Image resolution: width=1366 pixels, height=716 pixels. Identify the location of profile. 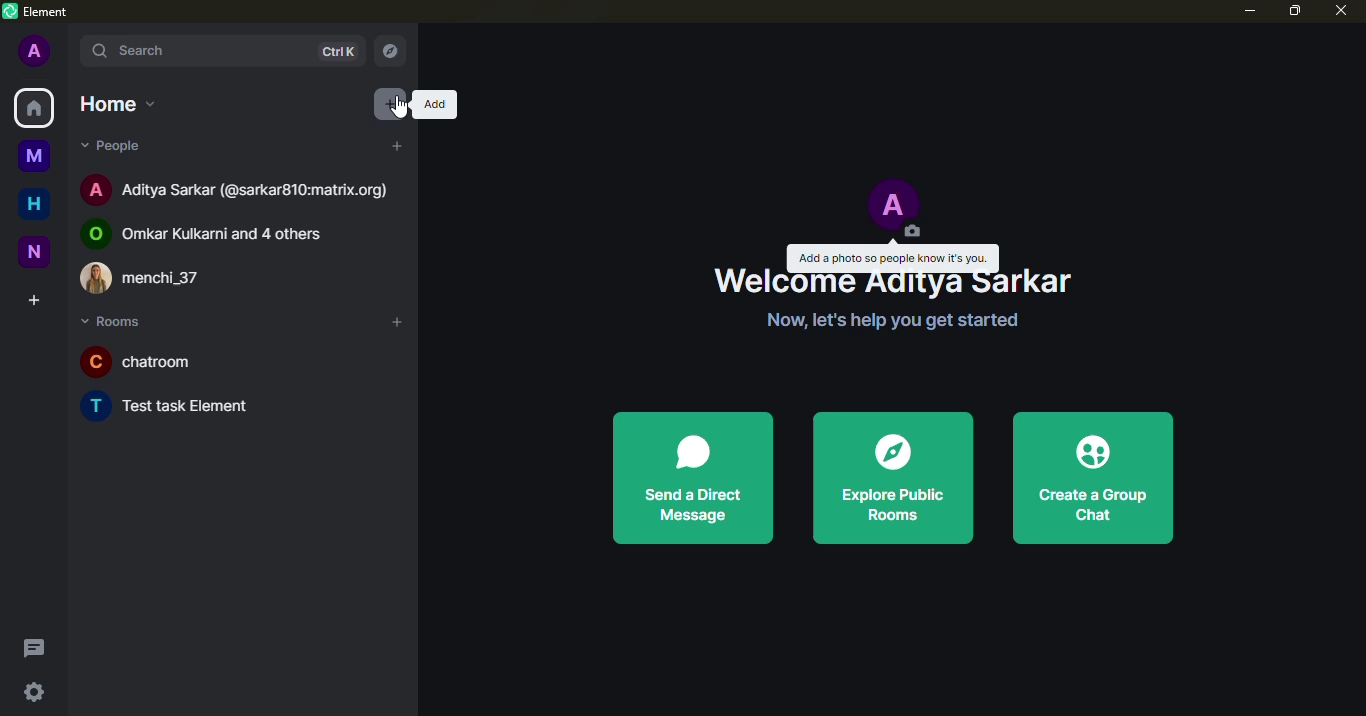
(37, 53).